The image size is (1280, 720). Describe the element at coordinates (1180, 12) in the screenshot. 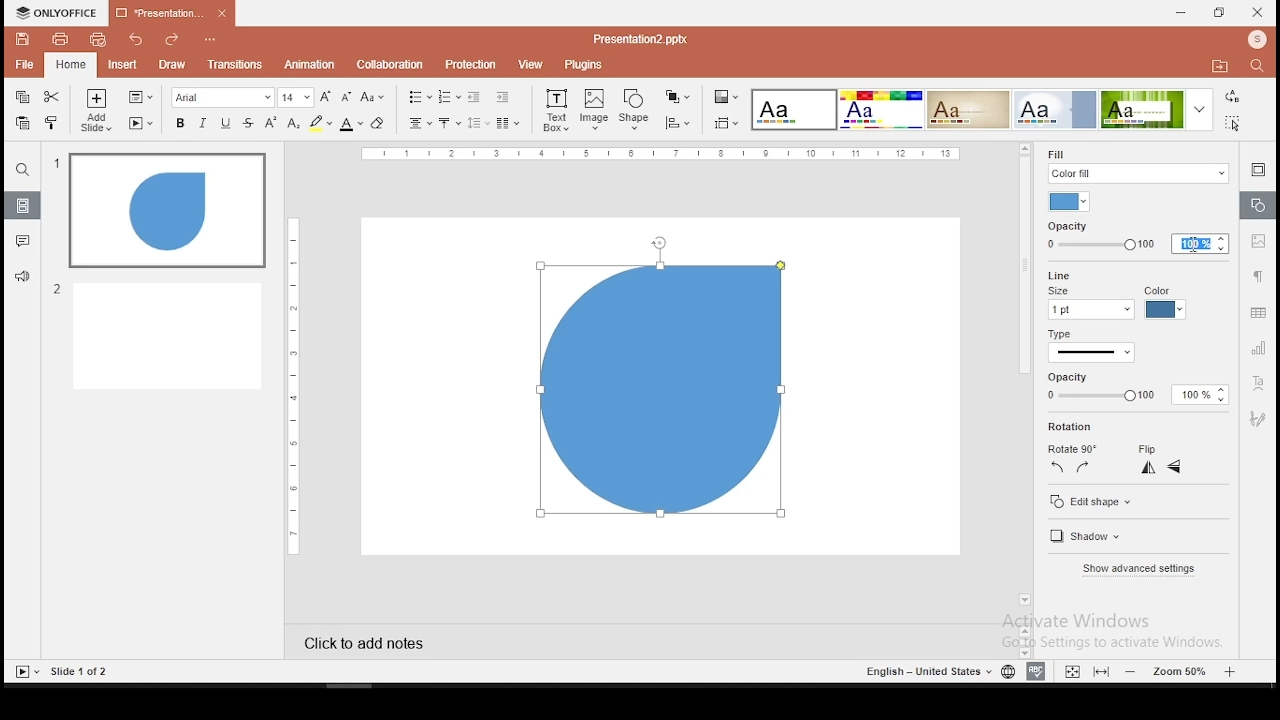

I see `minimize` at that location.